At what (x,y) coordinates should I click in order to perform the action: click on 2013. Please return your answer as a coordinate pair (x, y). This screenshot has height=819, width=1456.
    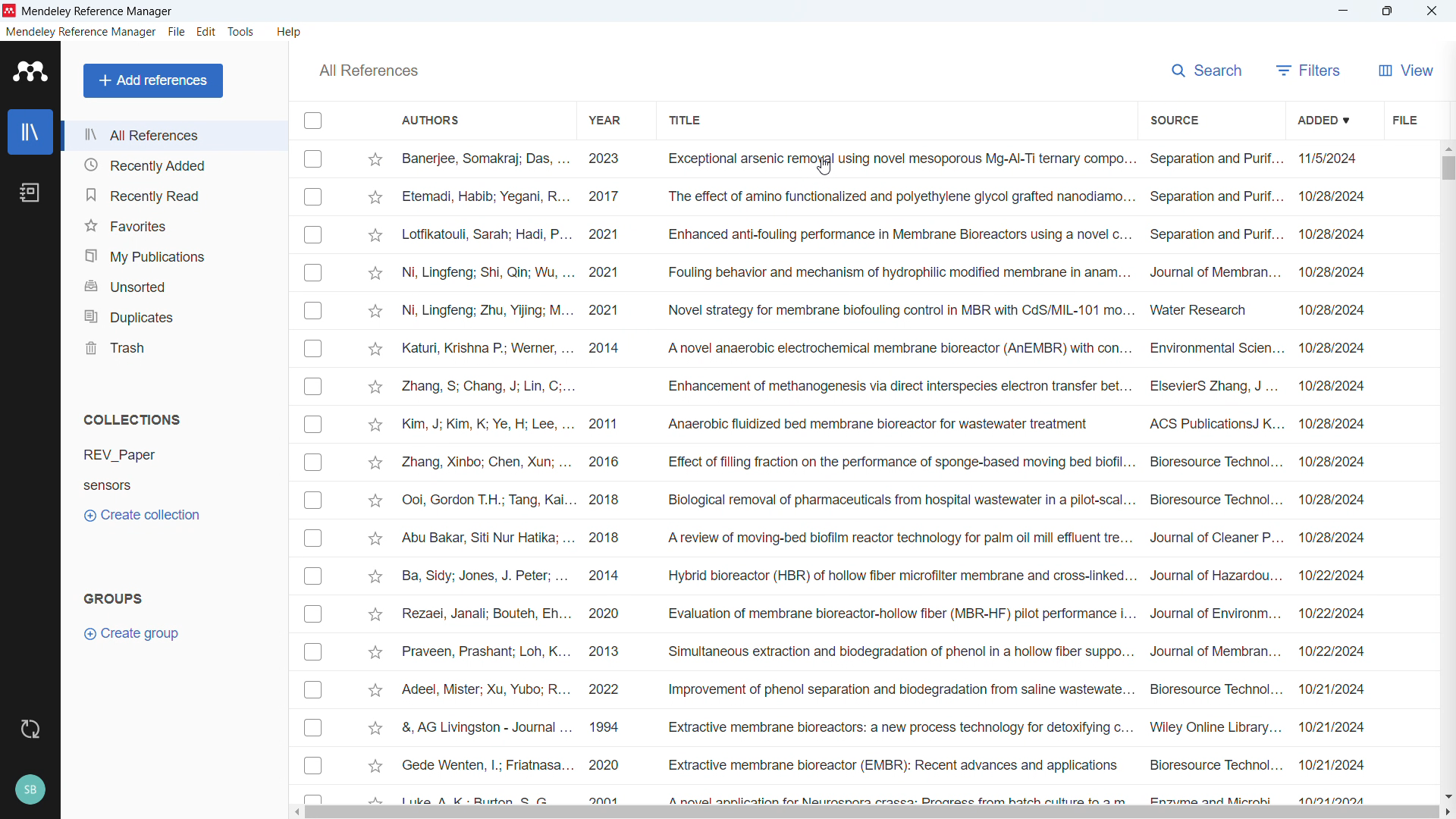
    Looking at the image, I should click on (615, 649).